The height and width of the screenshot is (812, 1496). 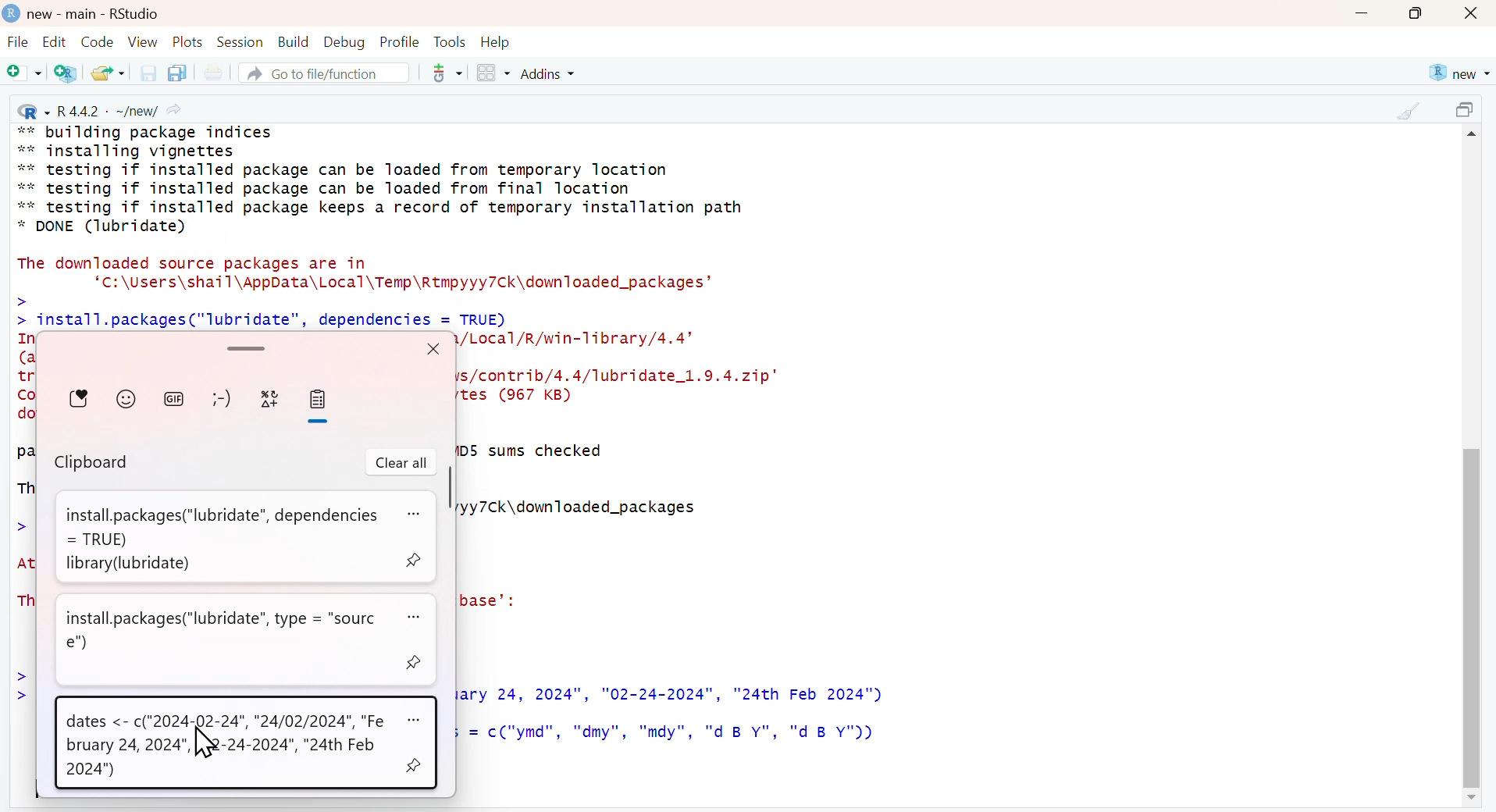 I want to click on Go to file/function, so click(x=322, y=73).